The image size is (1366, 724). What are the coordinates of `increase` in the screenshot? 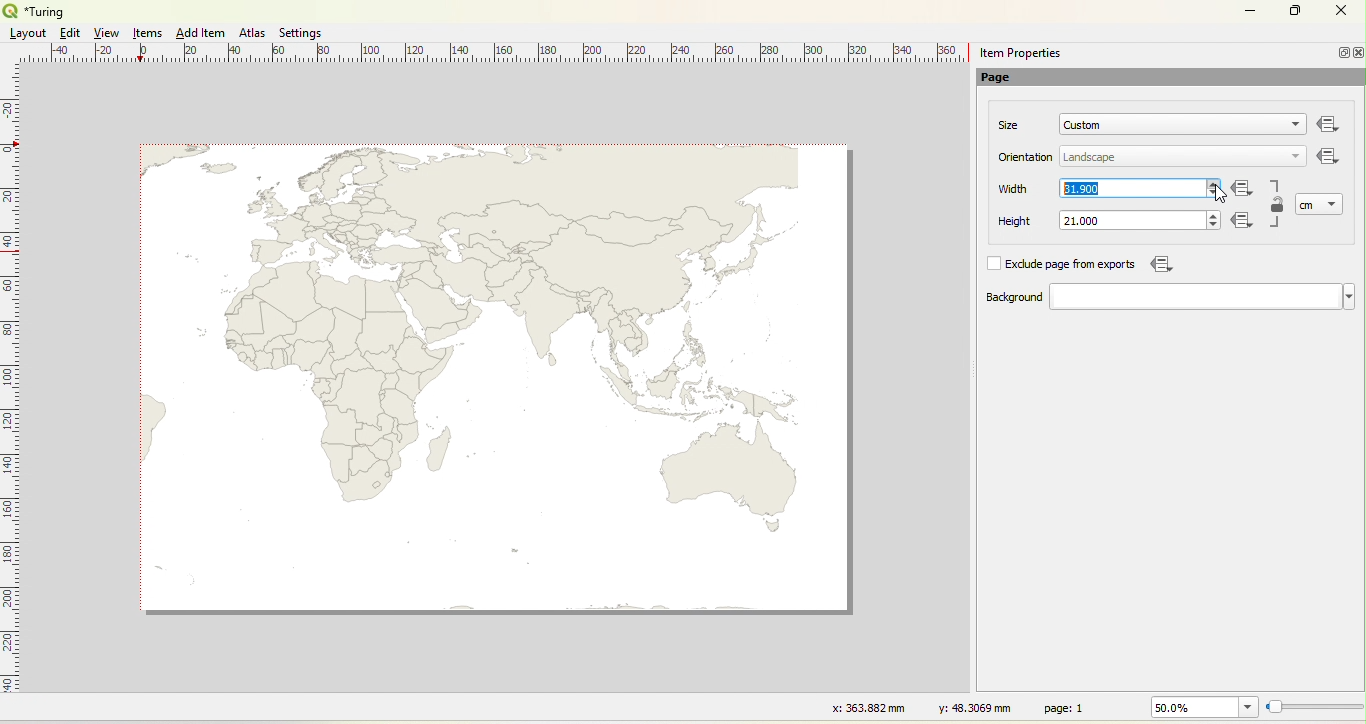 It's located at (1211, 214).